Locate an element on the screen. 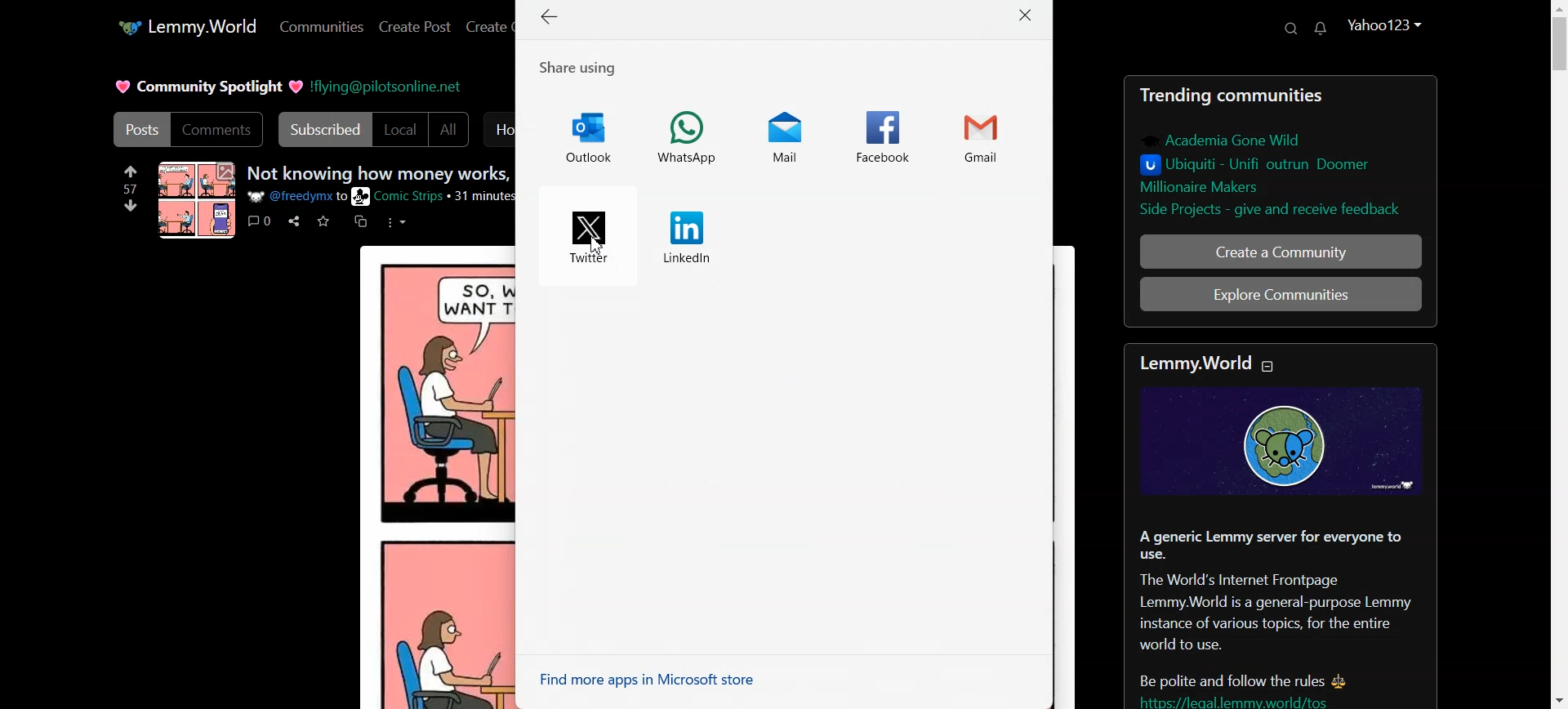  gmail is located at coordinates (993, 136).